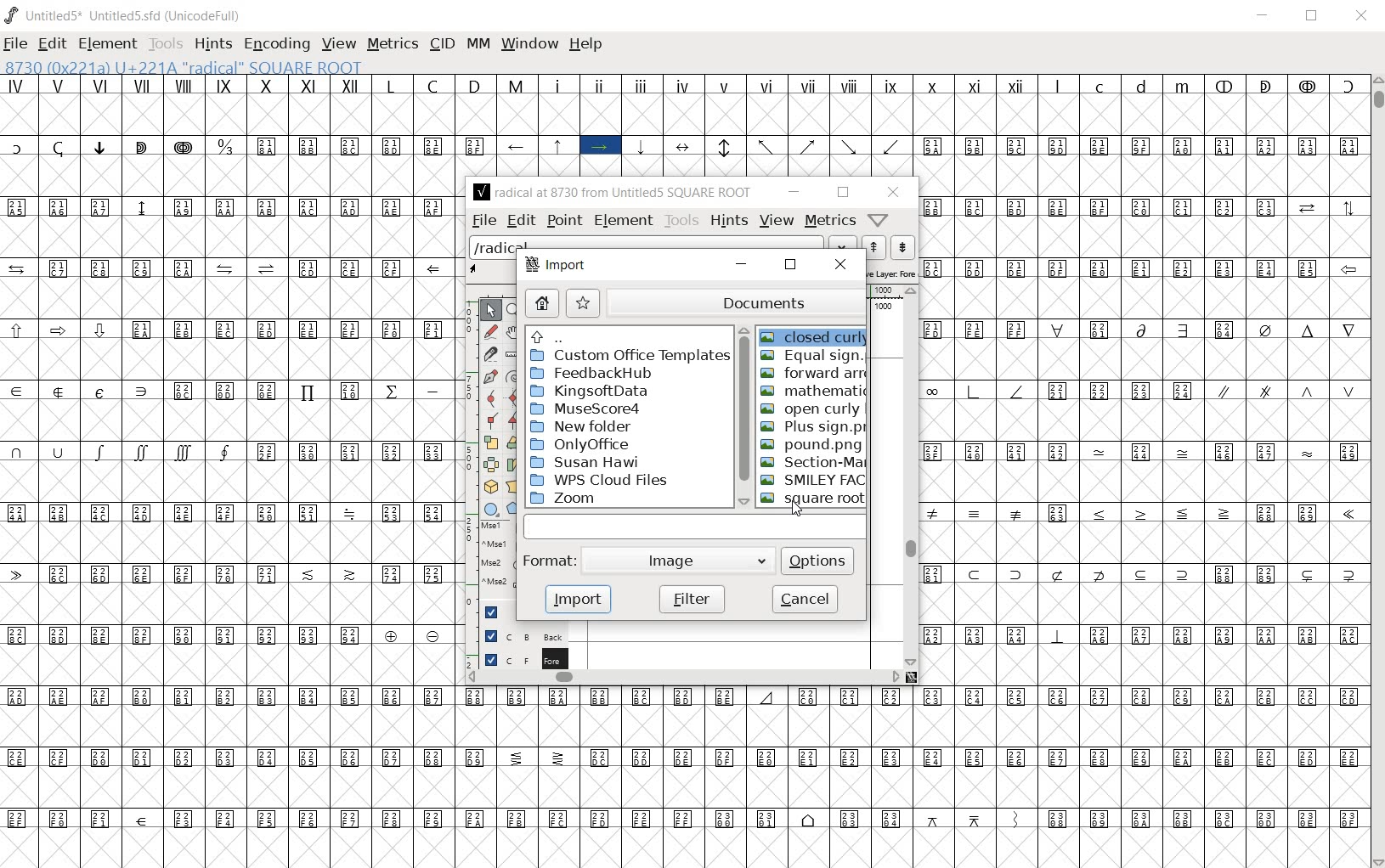  I want to click on load word list, so click(663, 245).